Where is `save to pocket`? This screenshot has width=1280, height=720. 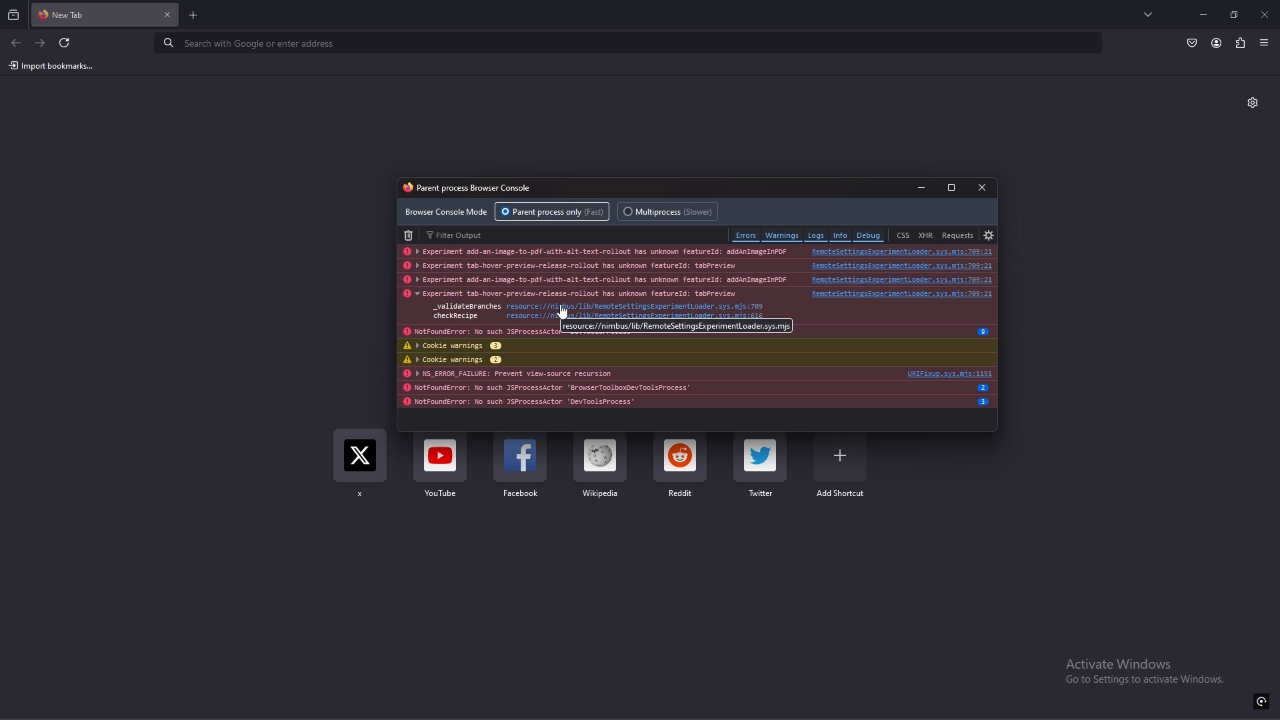 save to pocket is located at coordinates (1191, 43).